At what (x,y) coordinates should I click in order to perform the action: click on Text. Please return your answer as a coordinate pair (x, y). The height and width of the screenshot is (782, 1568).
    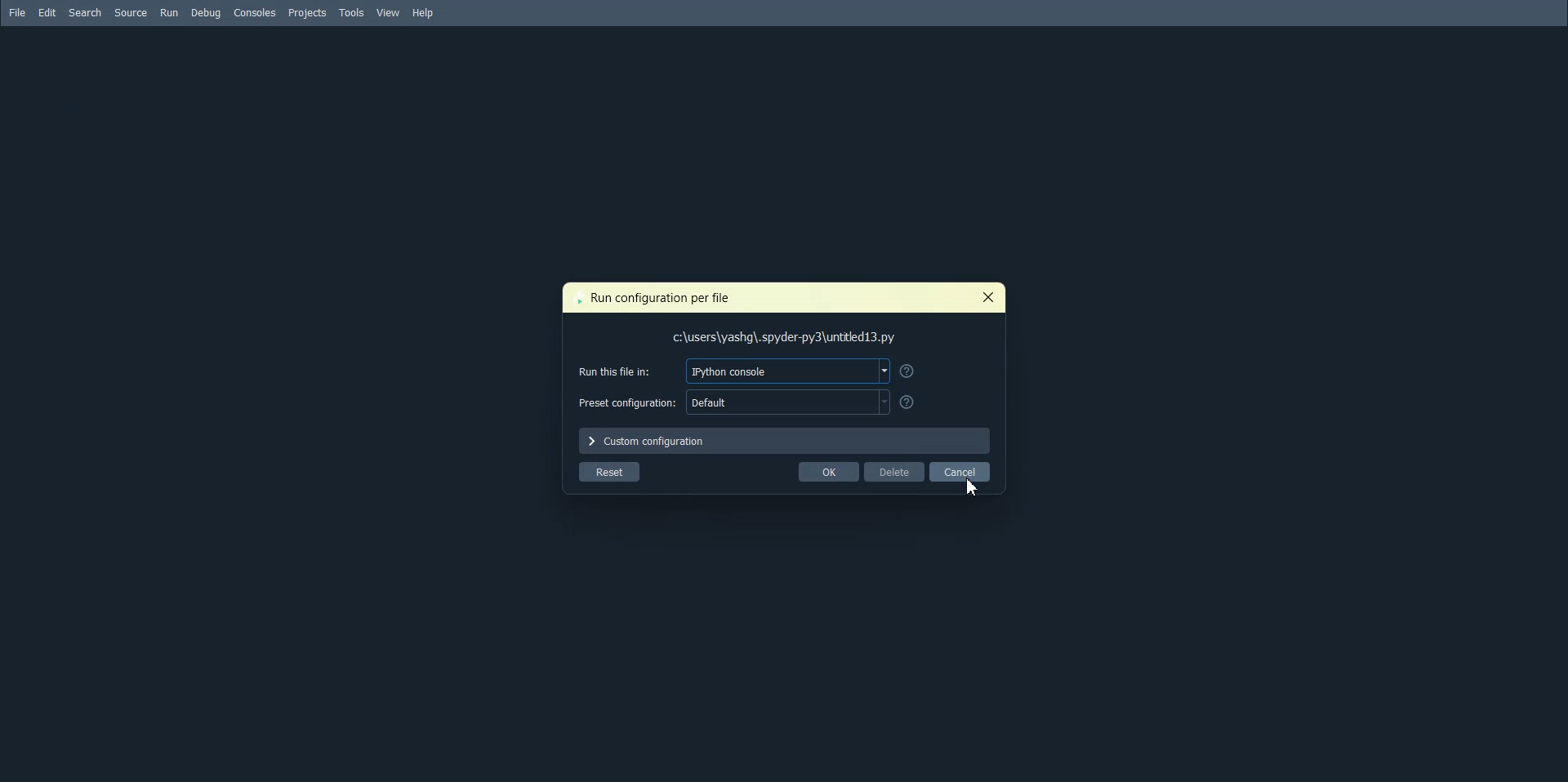
    Looking at the image, I should click on (659, 297).